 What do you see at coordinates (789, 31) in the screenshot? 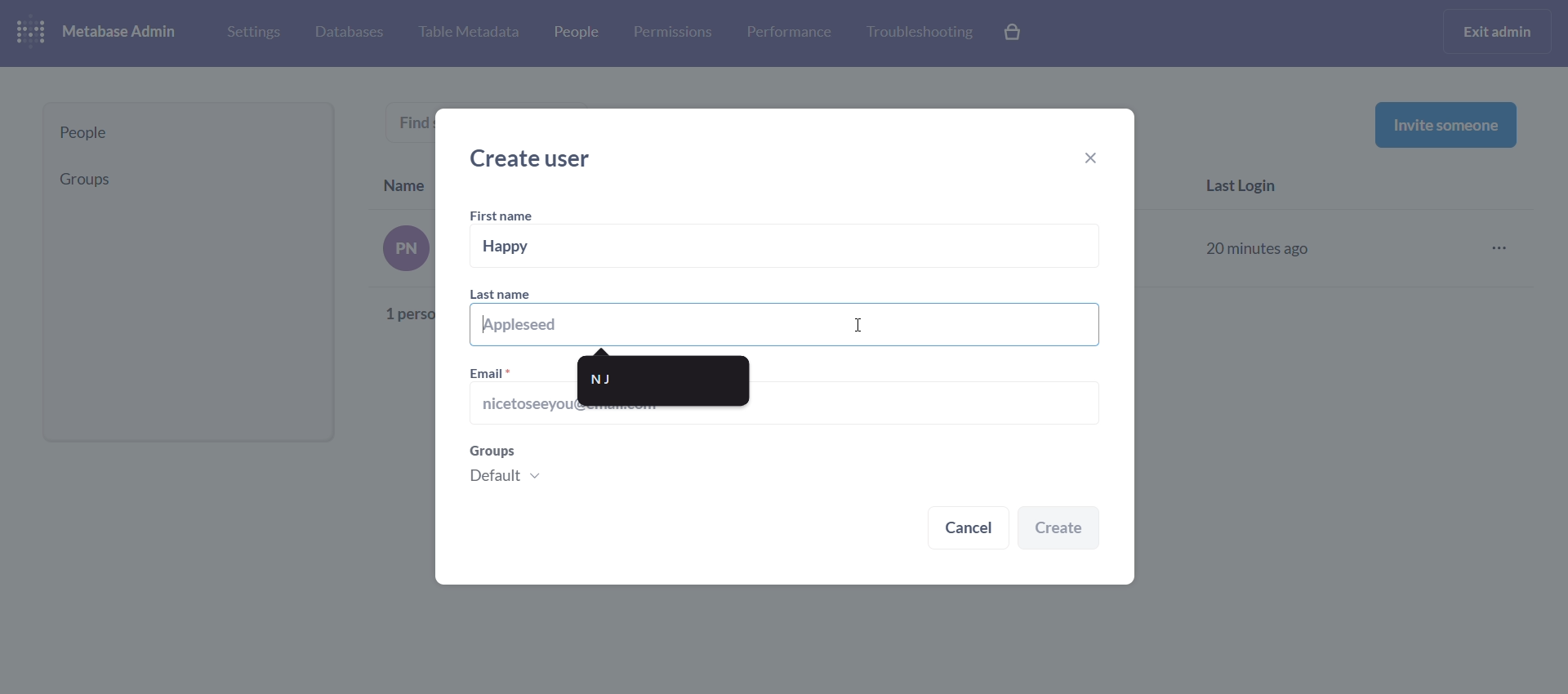
I see `performance` at bounding box center [789, 31].